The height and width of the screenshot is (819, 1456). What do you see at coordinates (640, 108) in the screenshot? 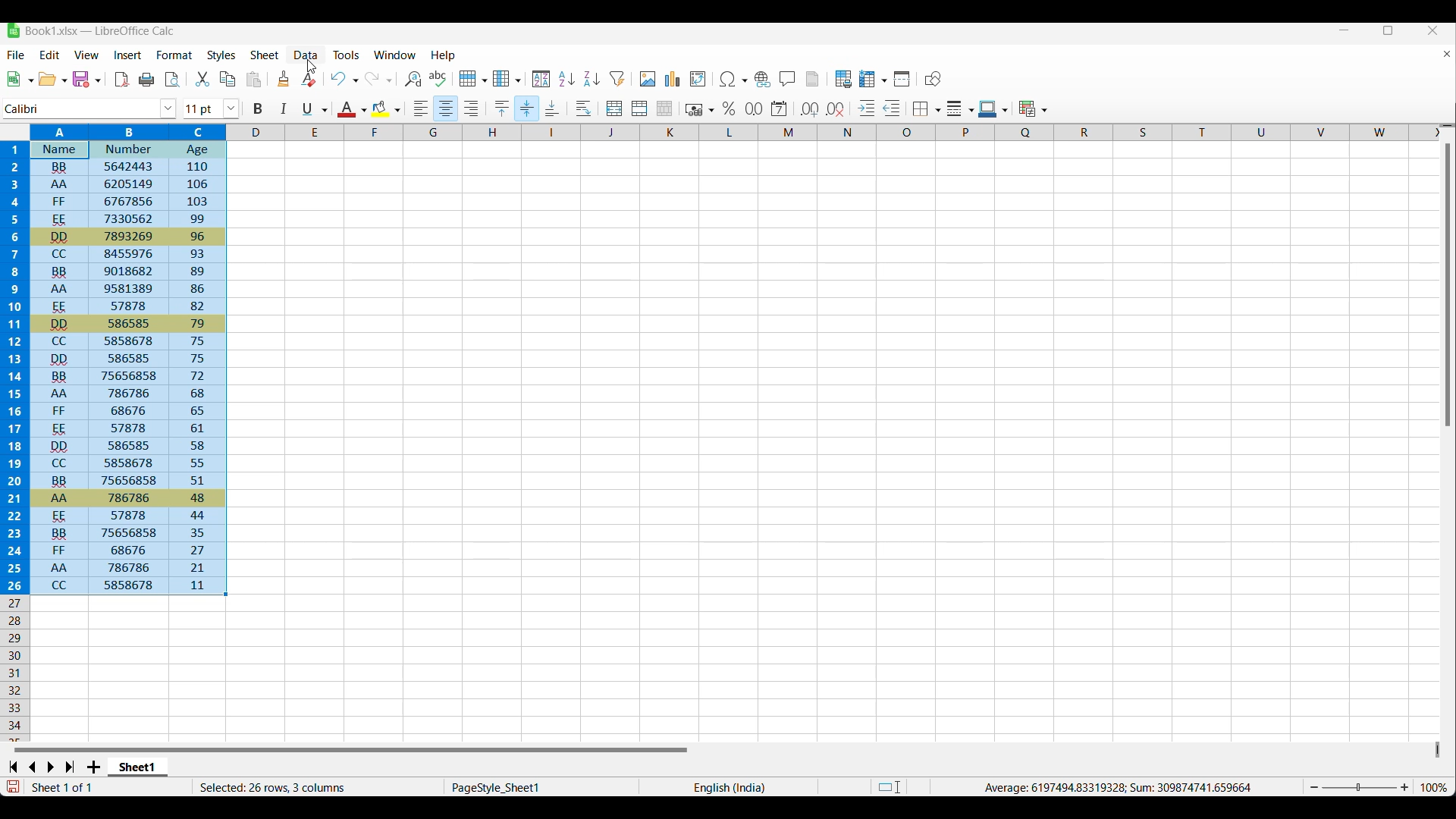
I see `Merge cells` at bounding box center [640, 108].